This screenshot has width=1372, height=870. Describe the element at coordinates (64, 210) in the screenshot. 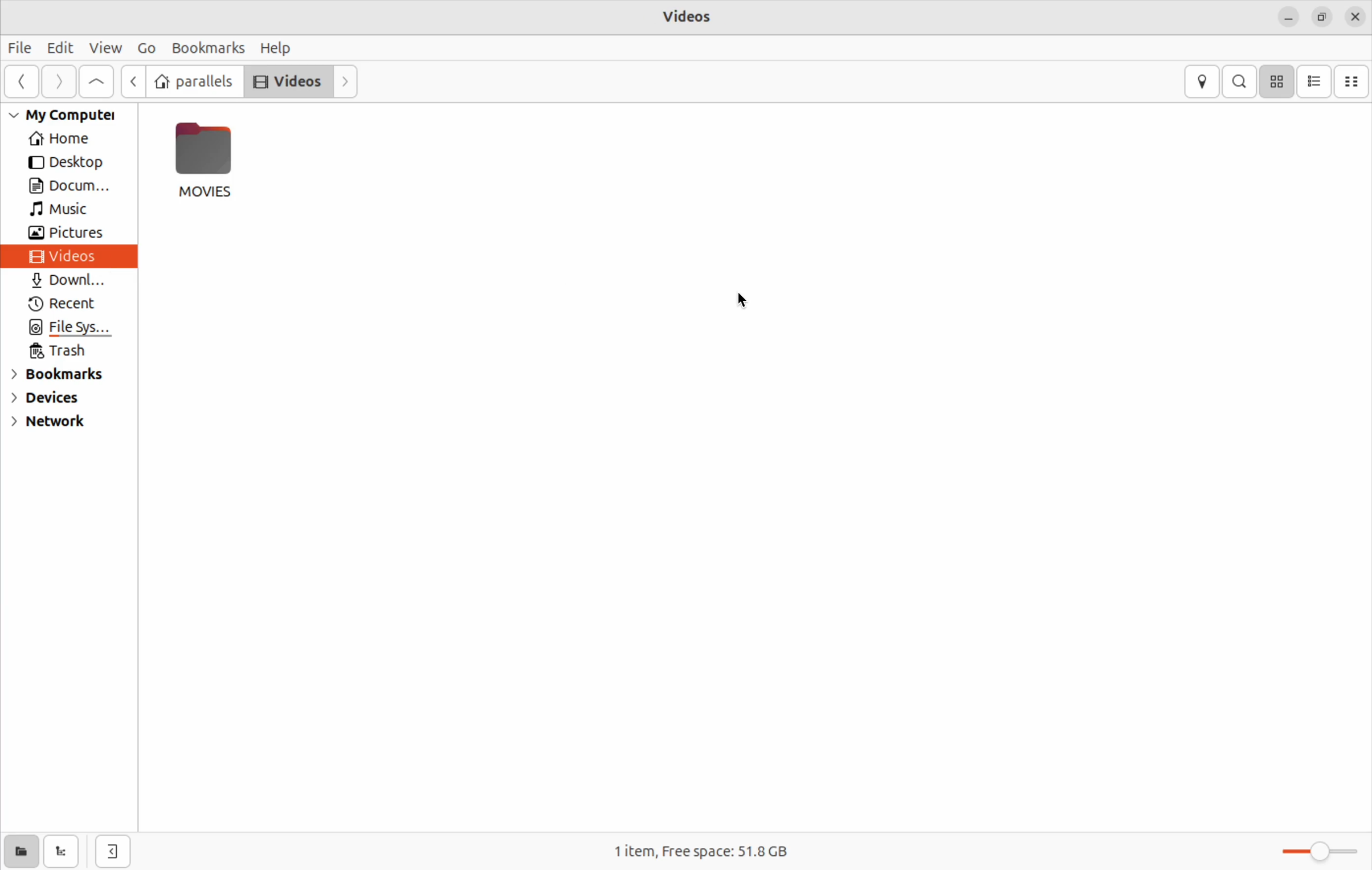

I see `Music` at that location.